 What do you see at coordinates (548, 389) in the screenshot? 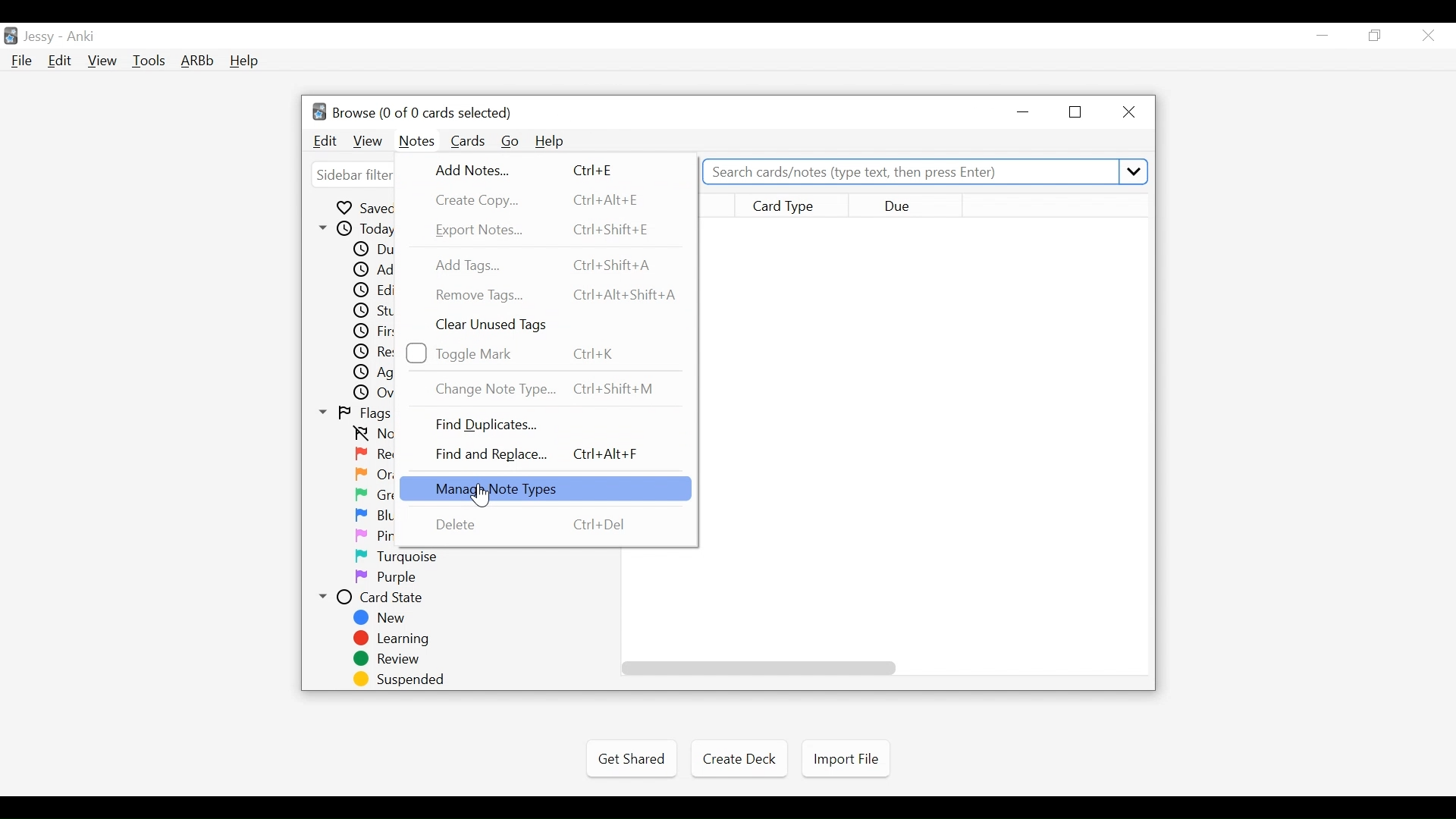
I see `Change Note Type` at bounding box center [548, 389].